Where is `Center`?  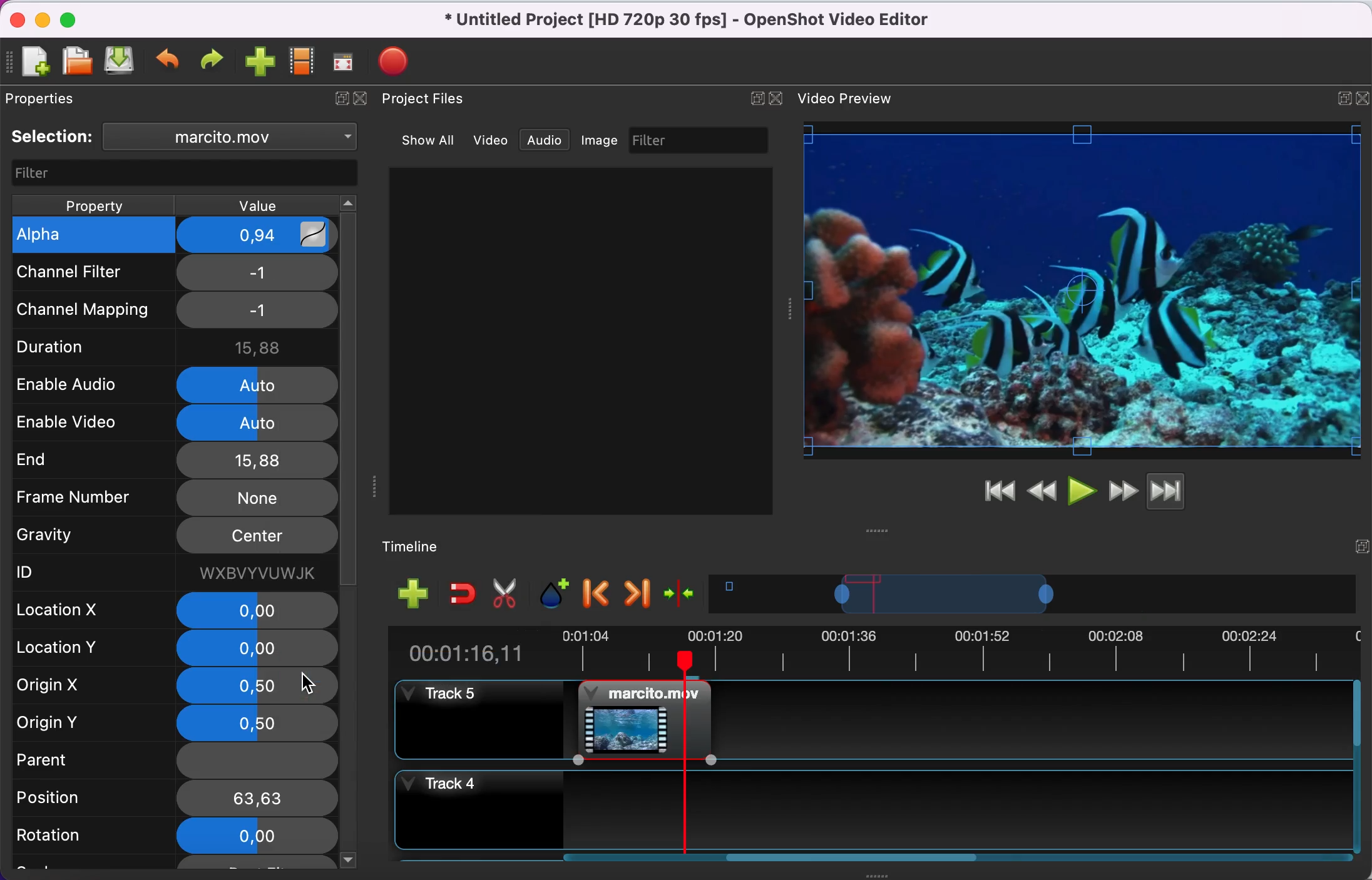
Center is located at coordinates (257, 534).